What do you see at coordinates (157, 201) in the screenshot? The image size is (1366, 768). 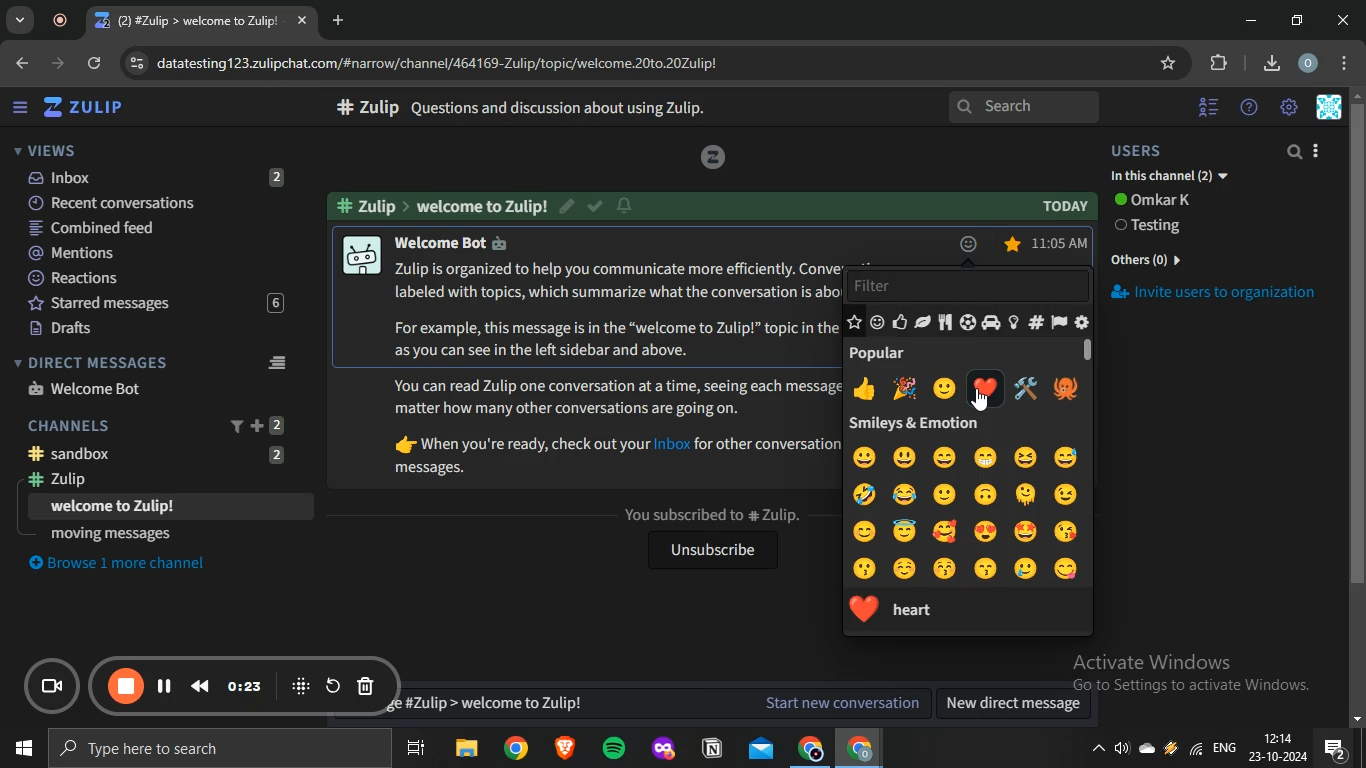 I see `recent conversations` at bounding box center [157, 201].